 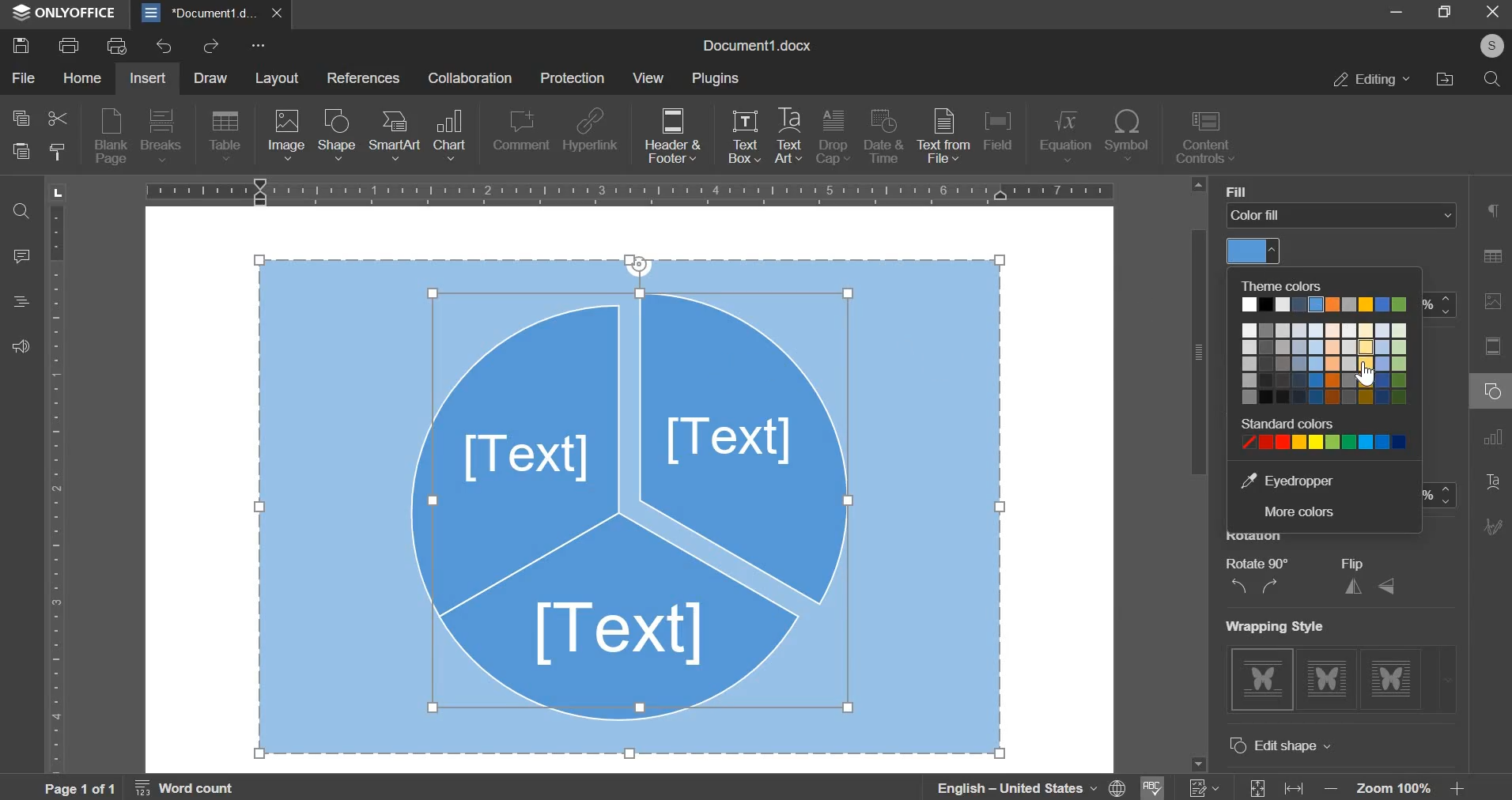 What do you see at coordinates (217, 77) in the screenshot?
I see `draw` at bounding box center [217, 77].